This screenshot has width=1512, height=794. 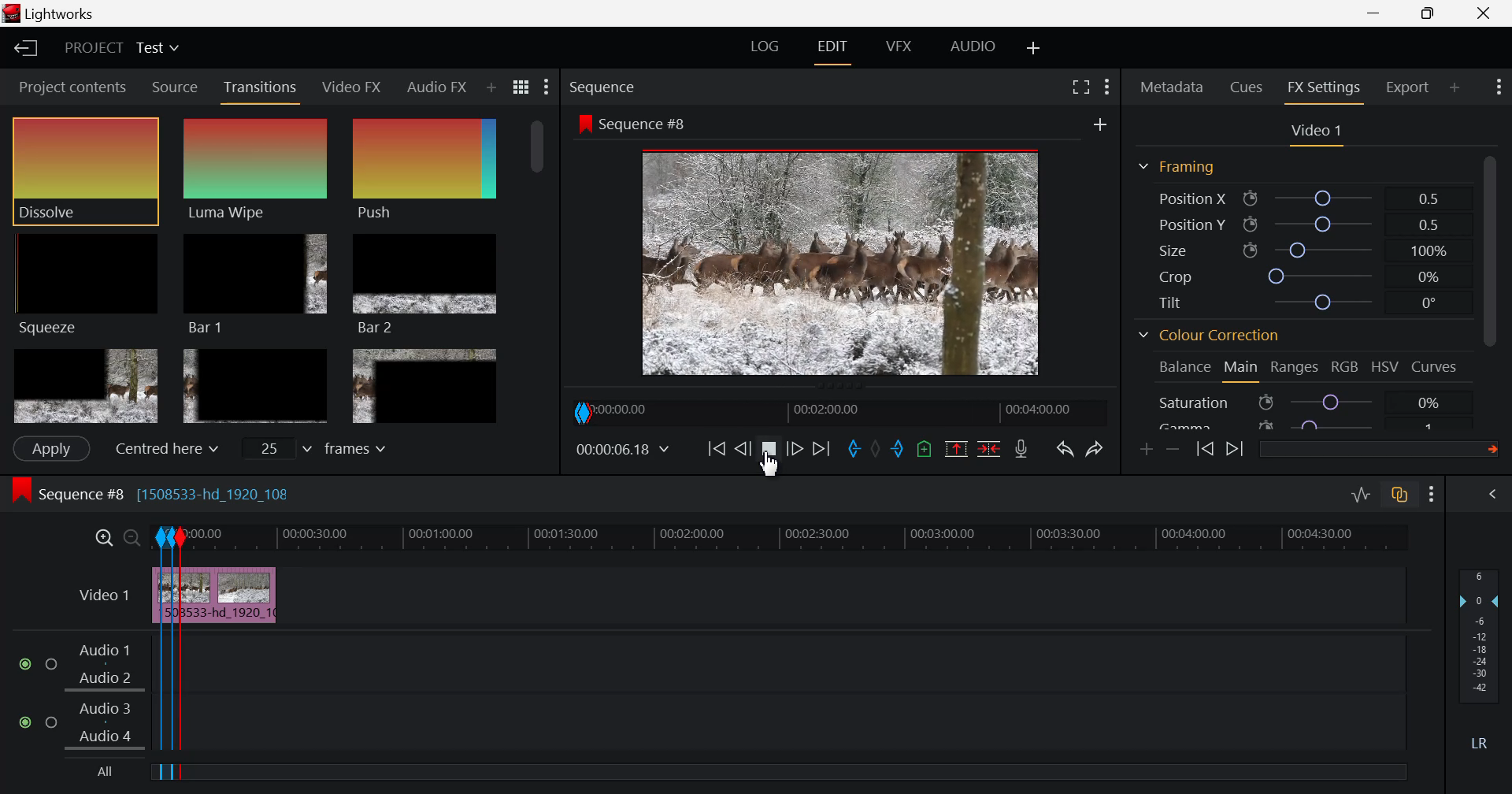 I want to click on Show Settings, so click(x=1435, y=493).